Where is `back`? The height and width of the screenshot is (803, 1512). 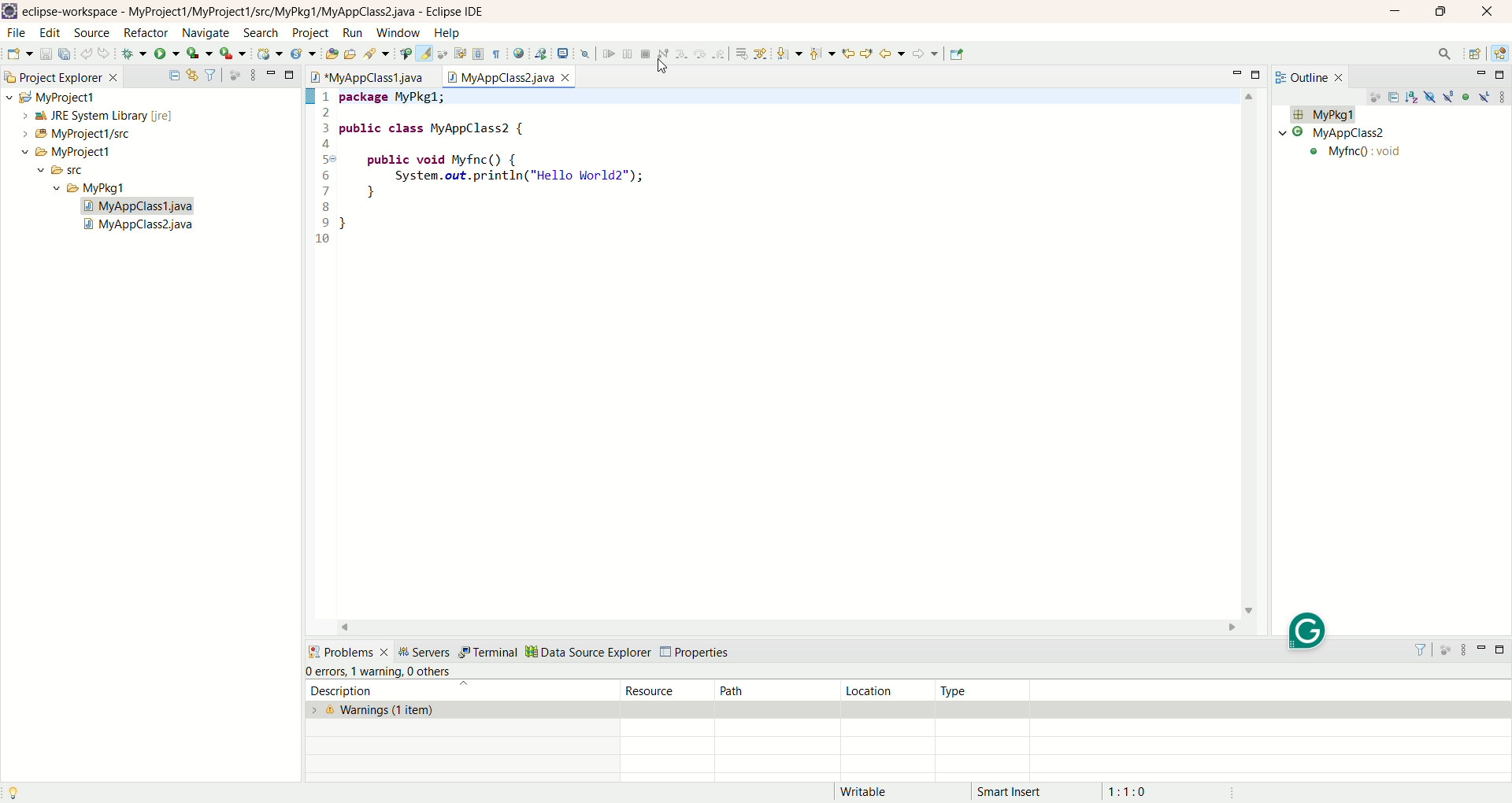
back is located at coordinates (892, 53).